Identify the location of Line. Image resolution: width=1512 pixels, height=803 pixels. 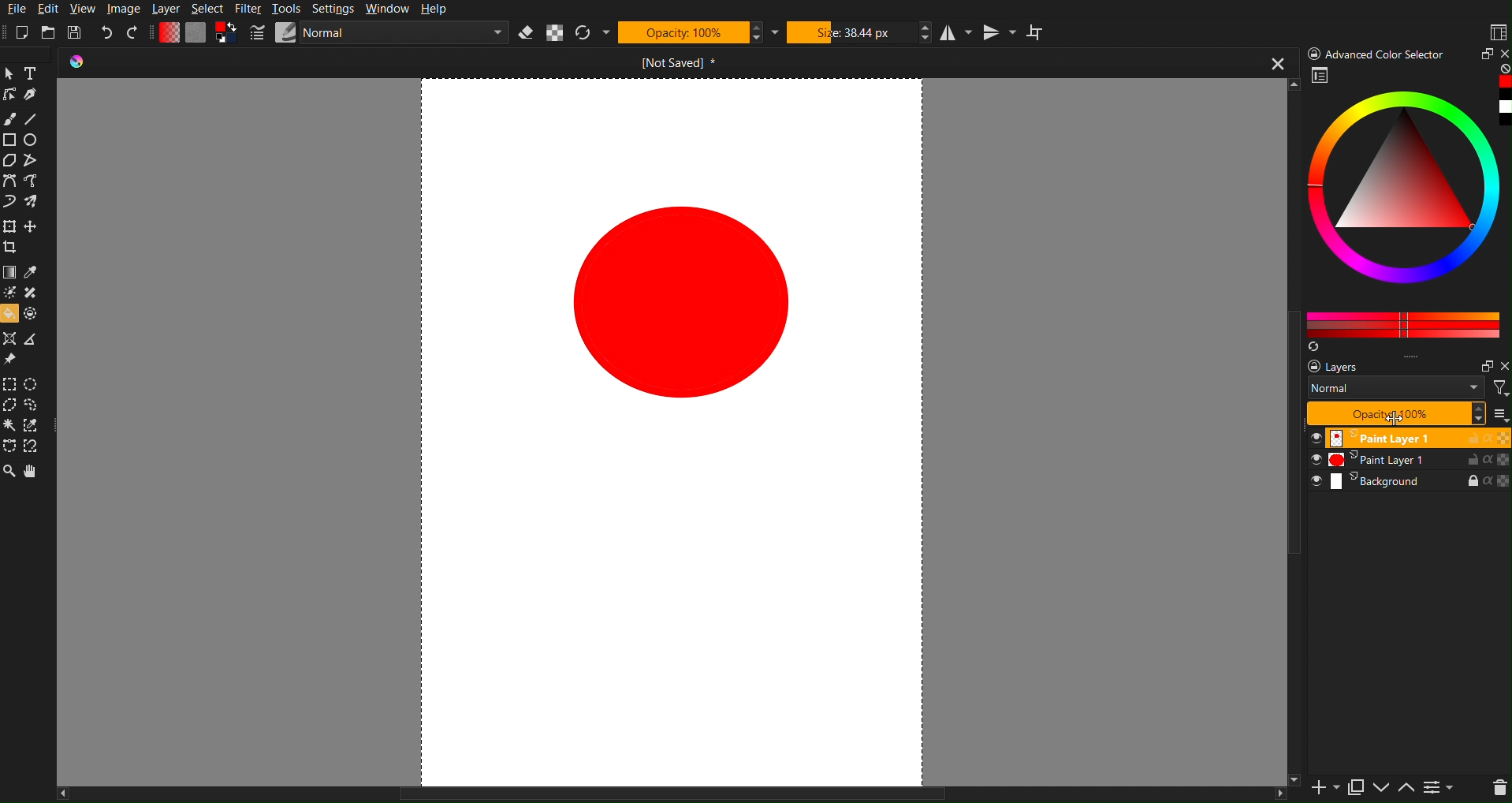
(34, 119).